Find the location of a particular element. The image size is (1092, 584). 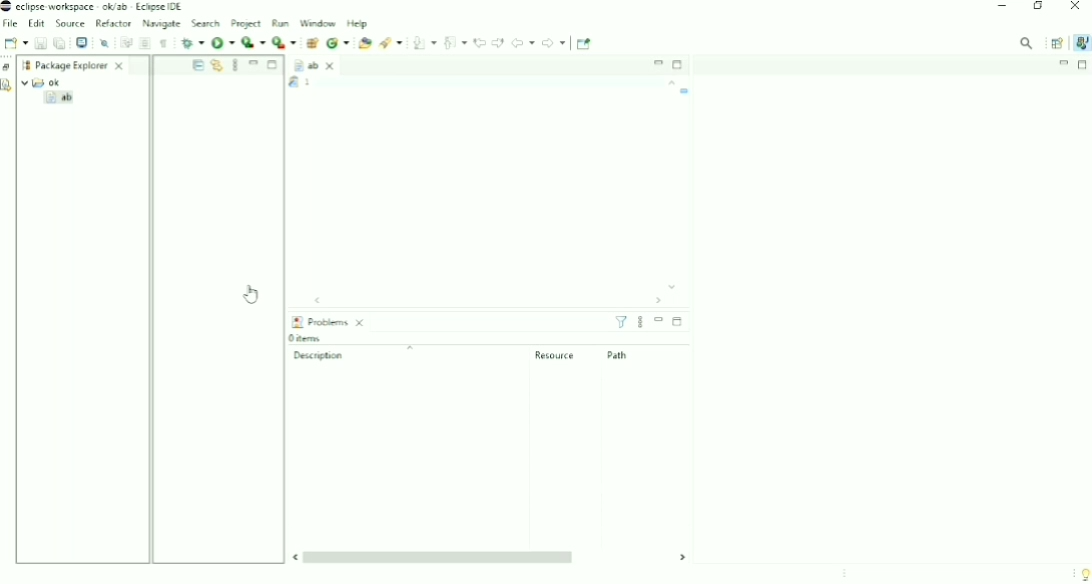

New Java class is located at coordinates (338, 43).